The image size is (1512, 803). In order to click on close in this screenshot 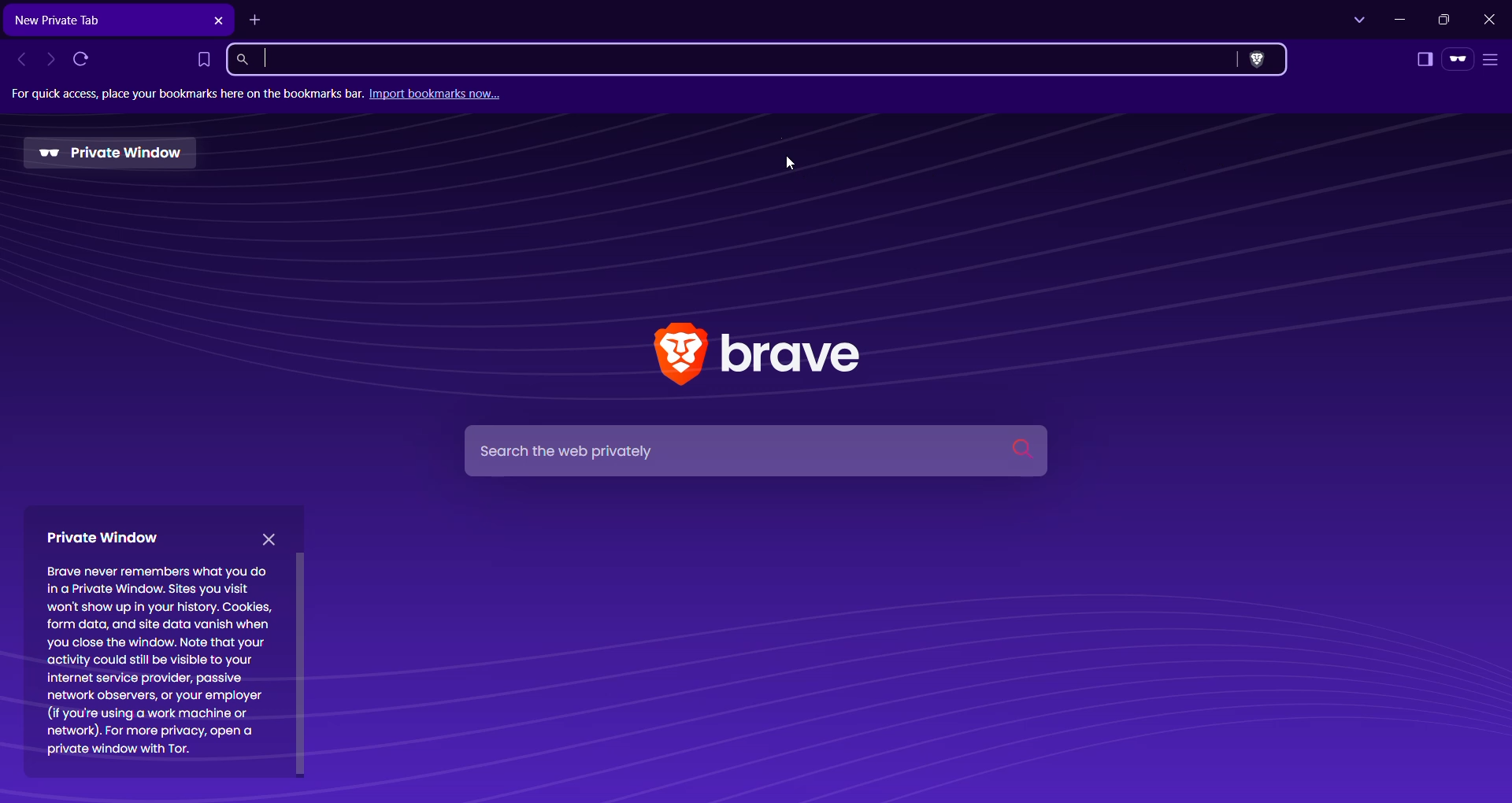, I will do `click(268, 540)`.